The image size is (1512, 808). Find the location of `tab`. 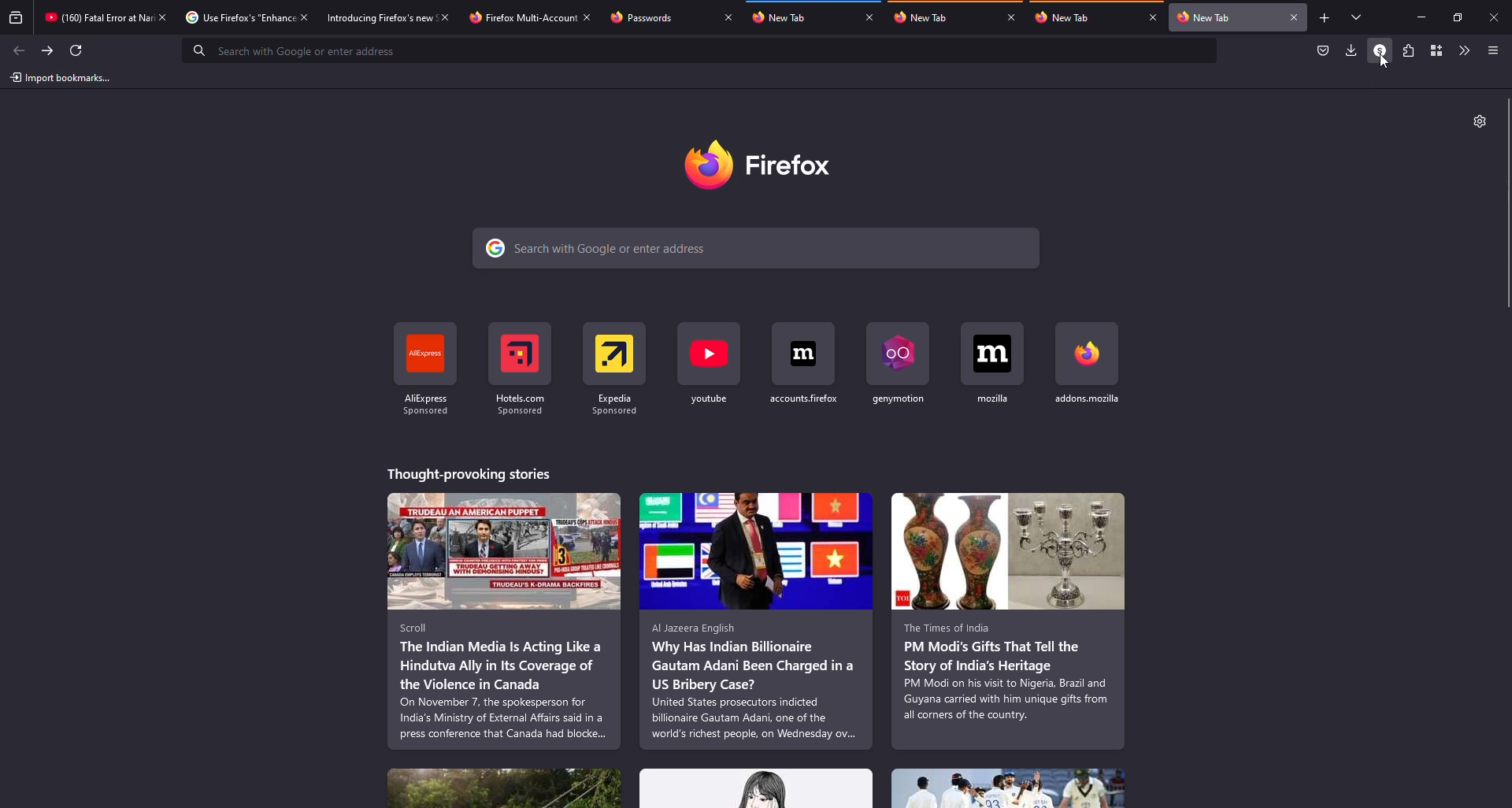

tab is located at coordinates (1206, 17).